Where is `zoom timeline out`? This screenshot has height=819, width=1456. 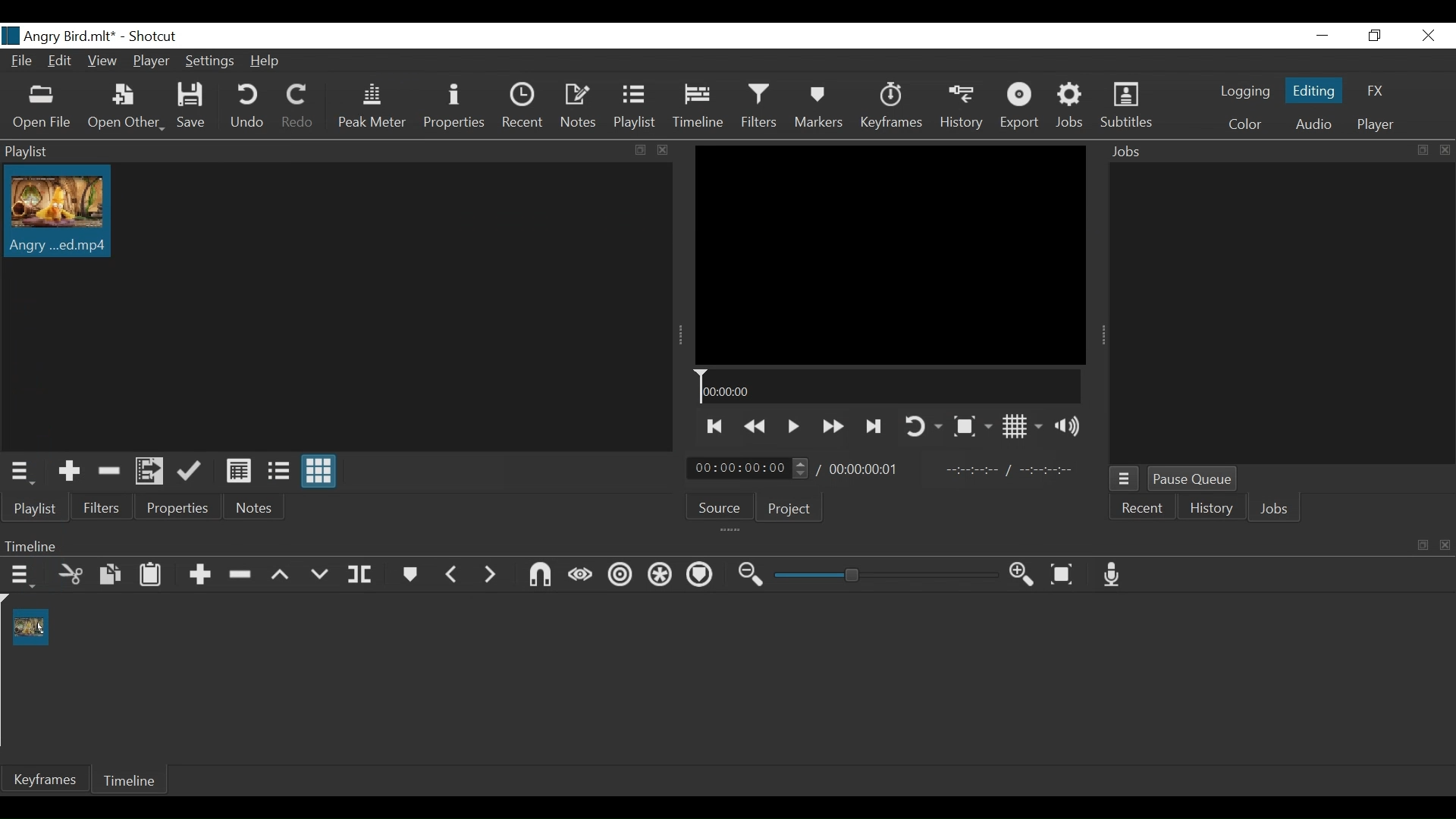
zoom timeline out is located at coordinates (1023, 575).